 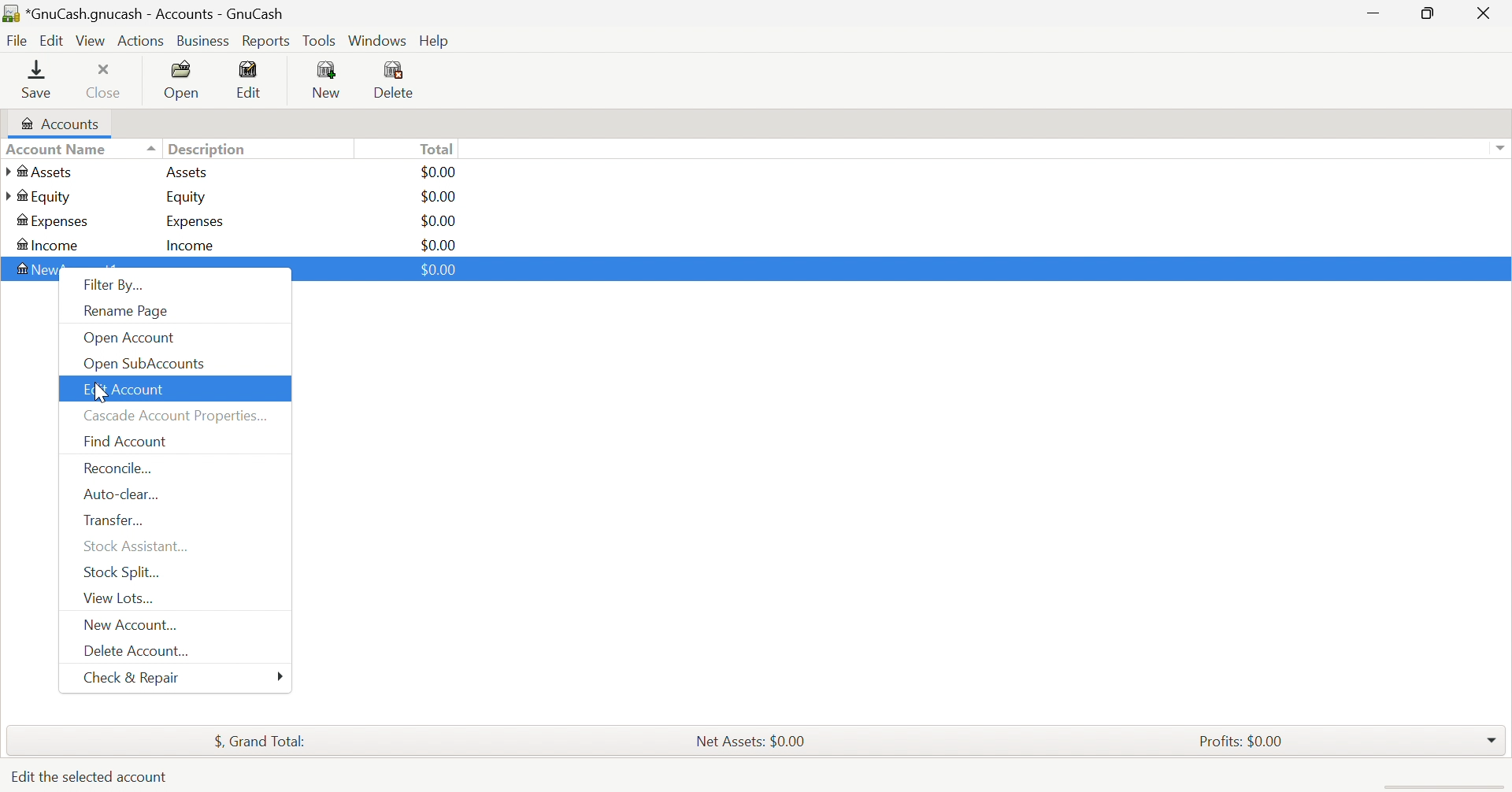 I want to click on Filter By..., so click(x=118, y=283).